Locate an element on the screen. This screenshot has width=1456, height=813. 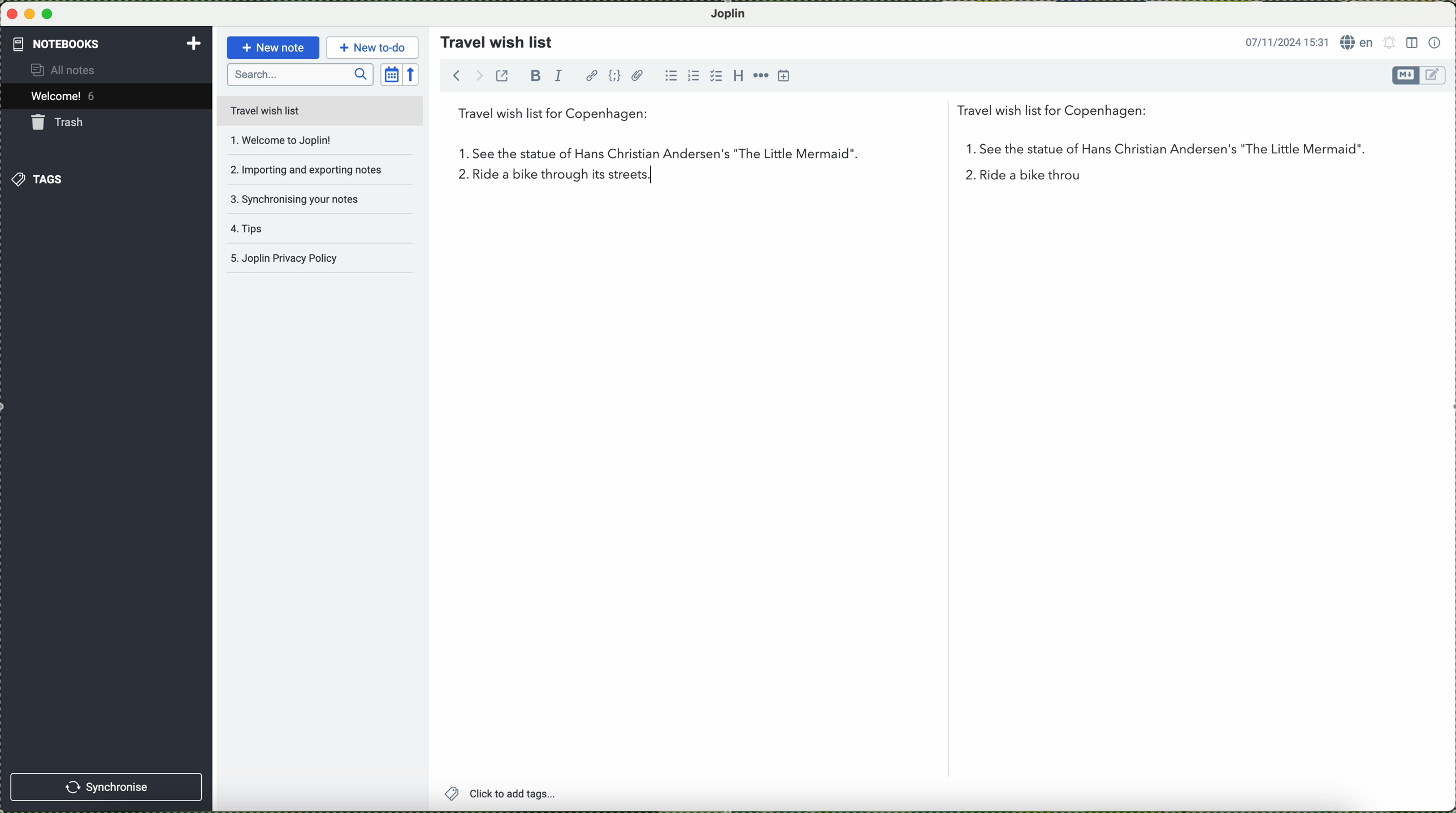
close is located at coordinates (11, 15).